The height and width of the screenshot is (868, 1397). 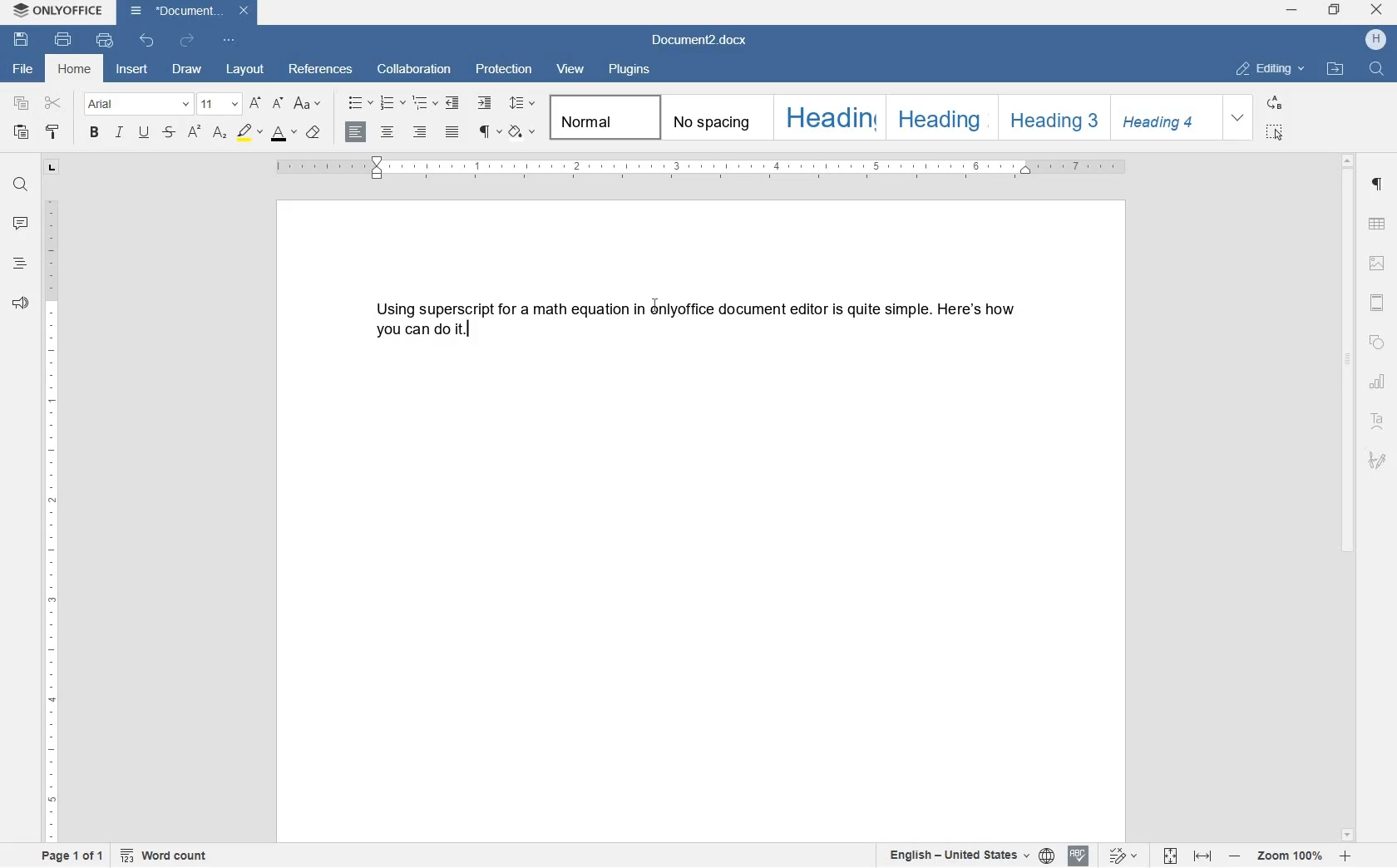 I want to click on change case, so click(x=309, y=104).